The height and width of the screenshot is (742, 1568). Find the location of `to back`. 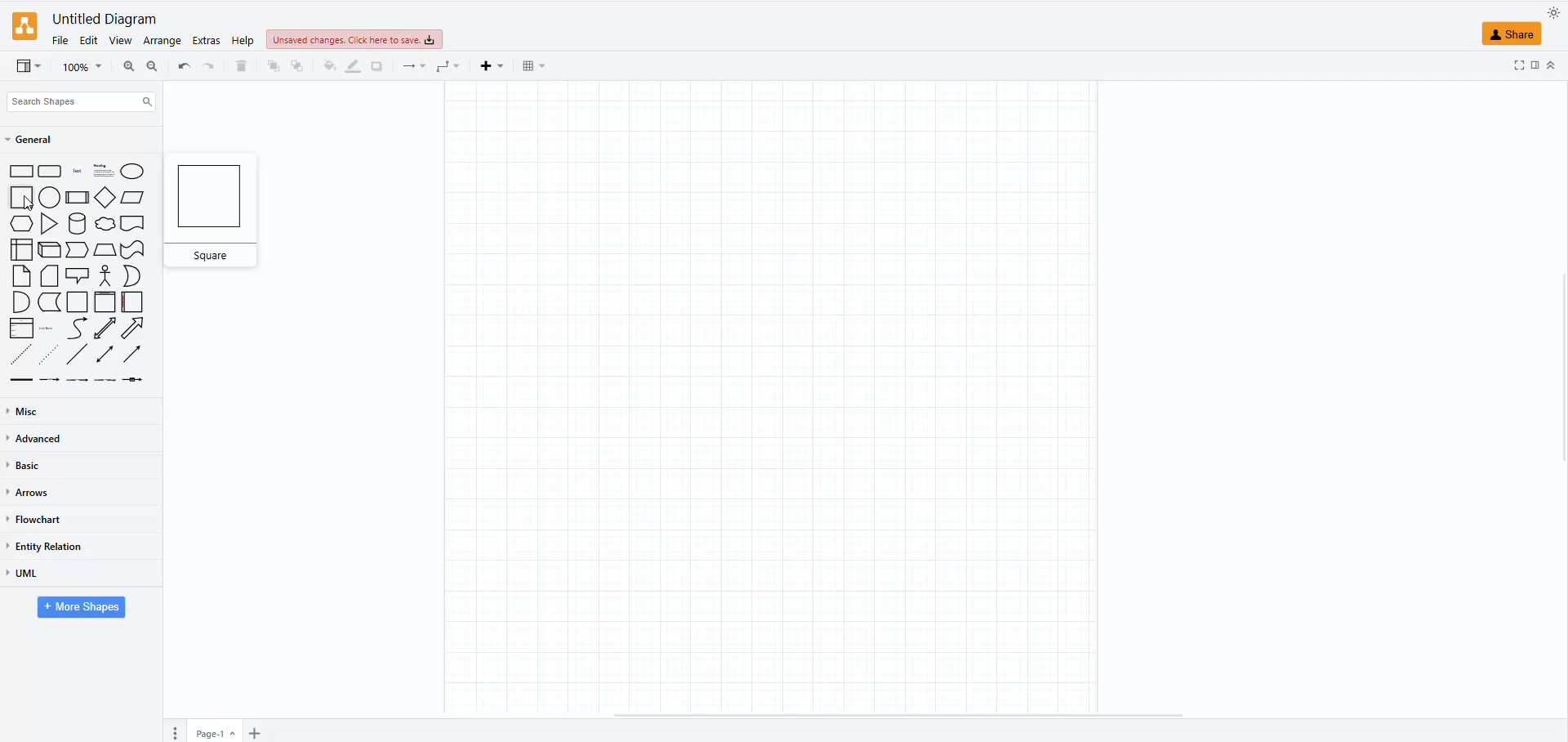

to back is located at coordinates (274, 66).